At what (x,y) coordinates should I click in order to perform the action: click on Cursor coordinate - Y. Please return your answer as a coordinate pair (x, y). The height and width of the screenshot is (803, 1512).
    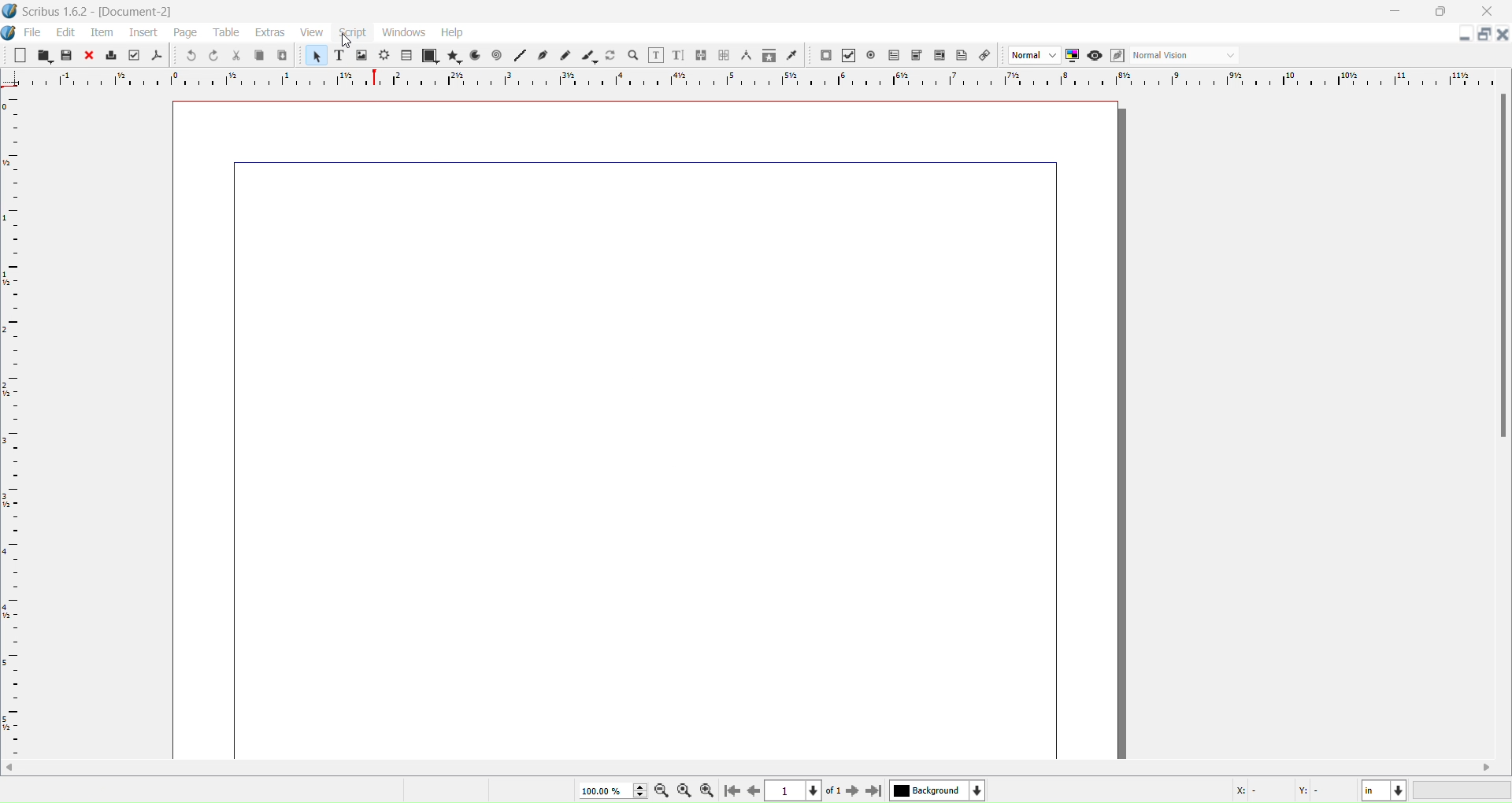
    Looking at the image, I should click on (1327, 790).